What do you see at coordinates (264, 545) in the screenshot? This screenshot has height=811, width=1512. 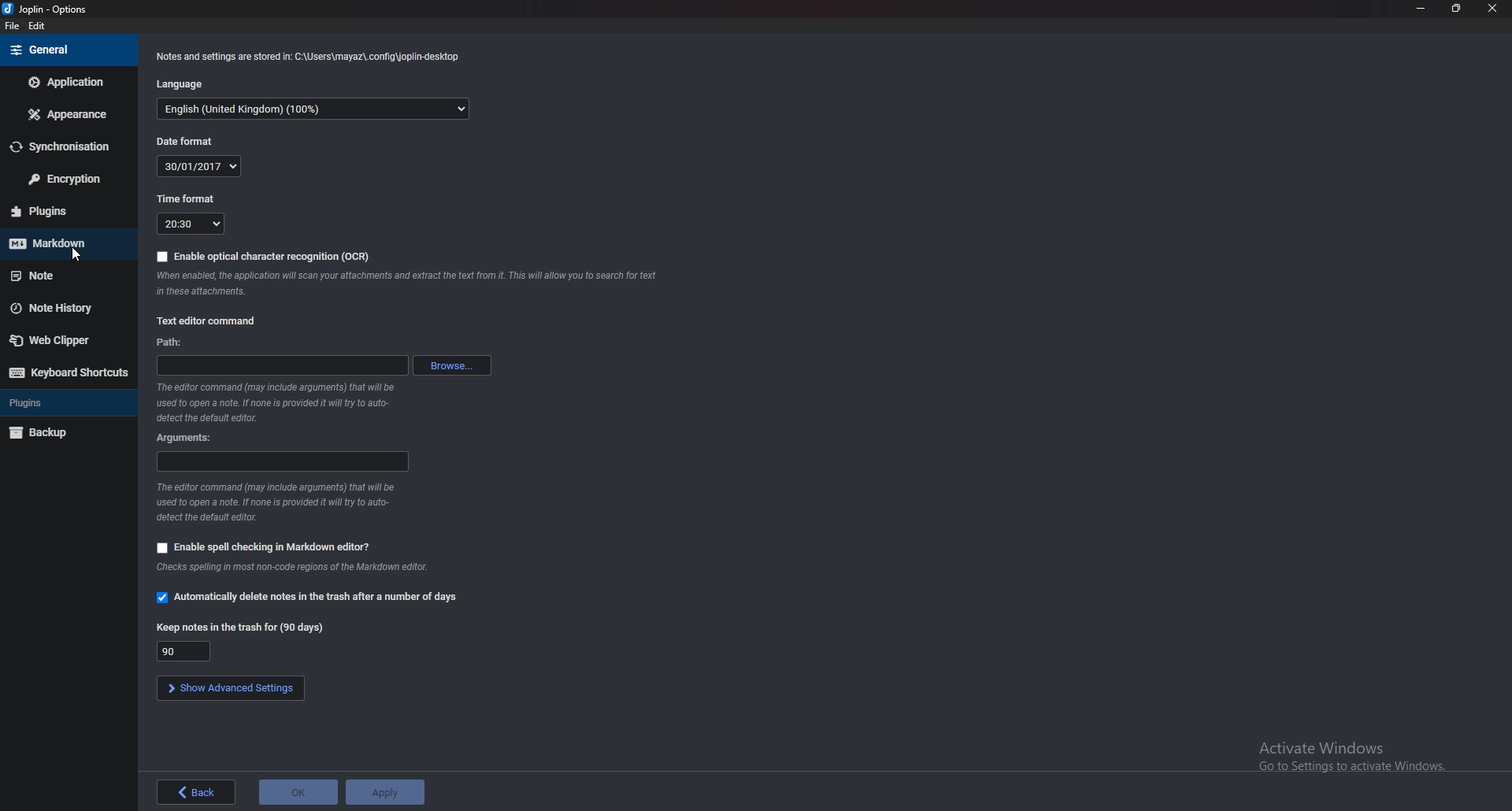 I see `enable spell checking` at bounding box center [264, 545].